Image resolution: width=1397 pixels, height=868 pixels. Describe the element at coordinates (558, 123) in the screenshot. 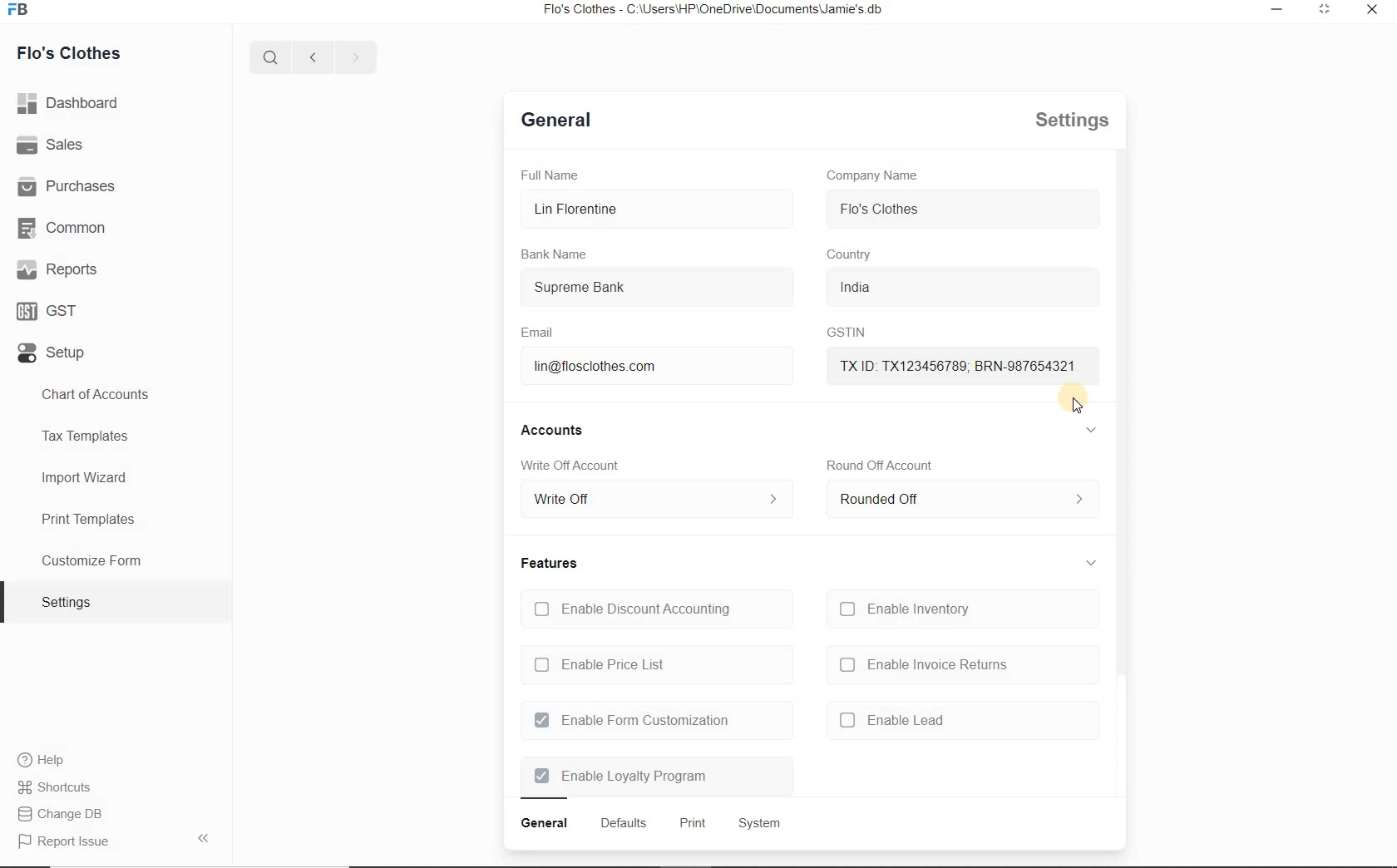

I see `general` at that location.